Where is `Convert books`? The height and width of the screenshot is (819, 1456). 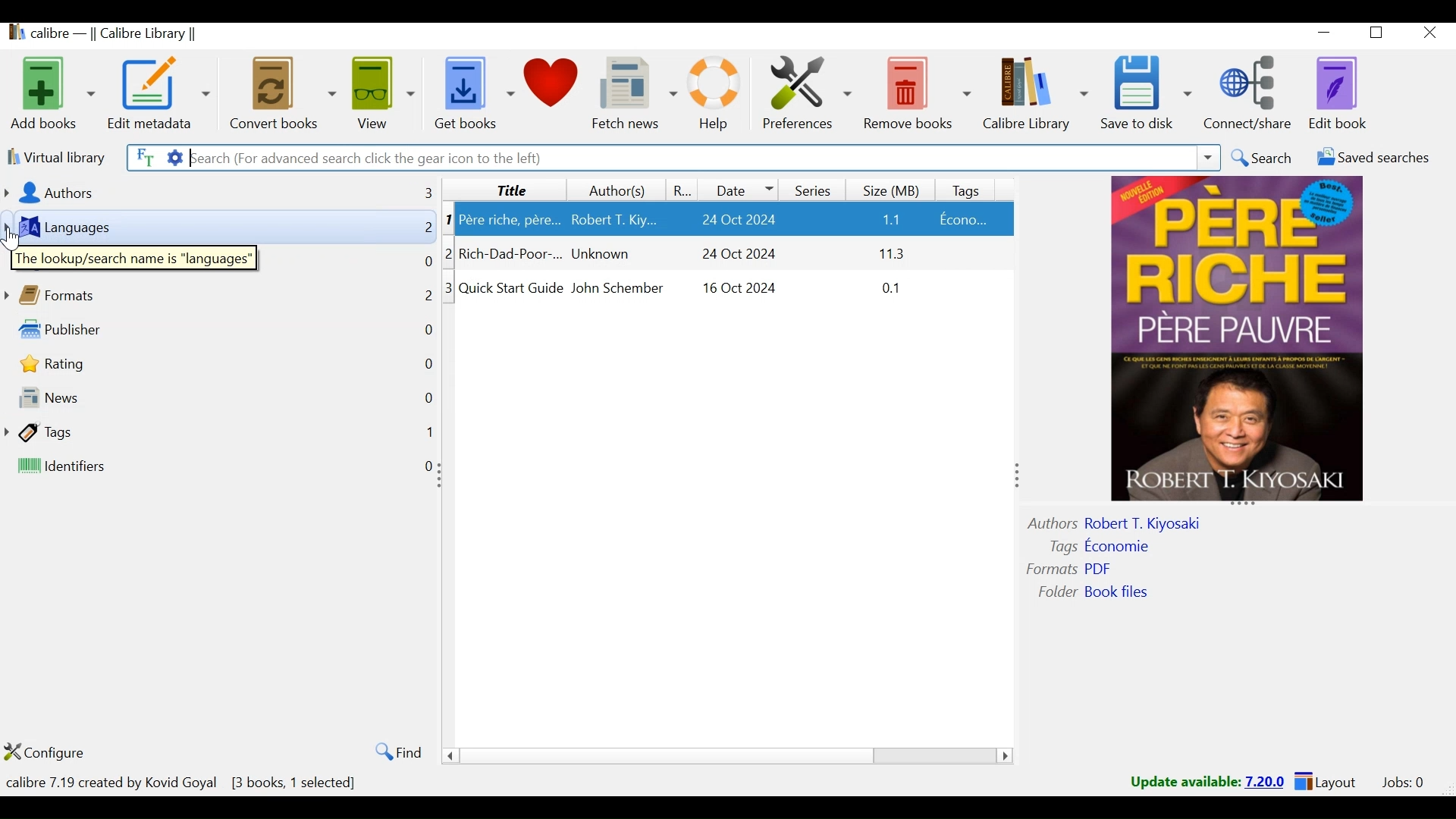
Convert books is located at coordinates (281, 93).